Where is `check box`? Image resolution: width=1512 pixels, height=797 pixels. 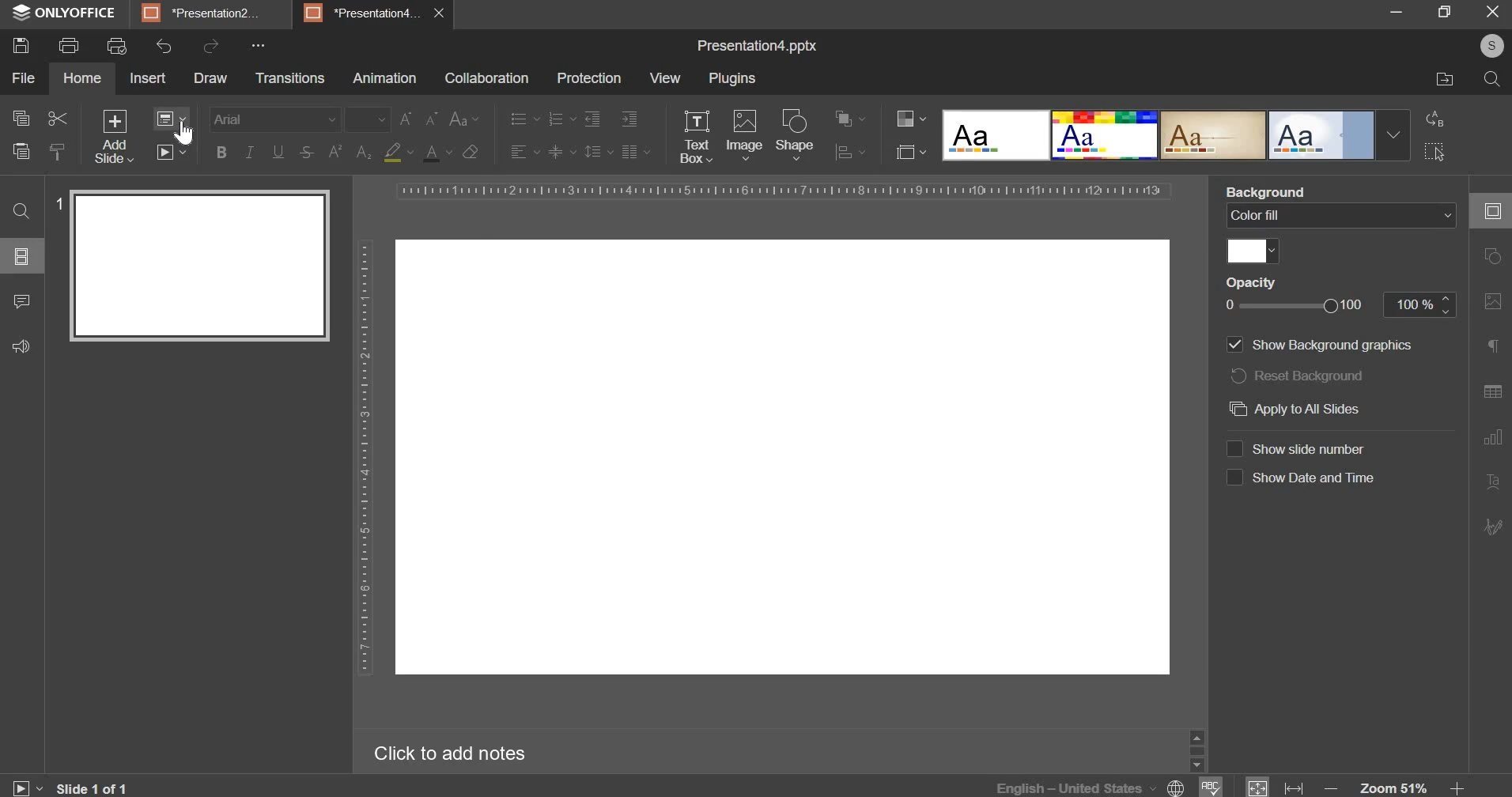
check box is located at coordinates (1233, 448).